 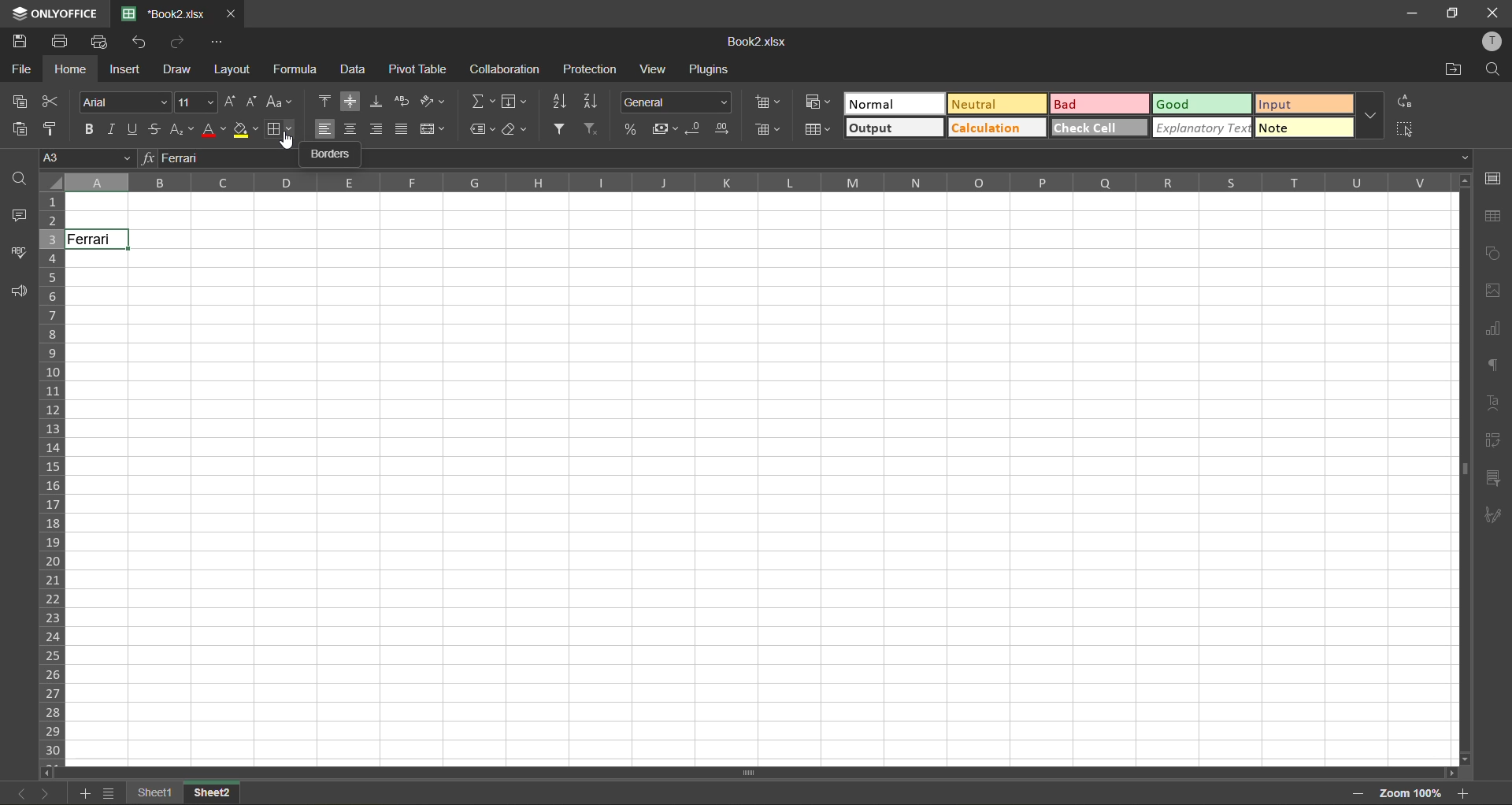 What do you see at coordinates (1492, 518) in the screenshot?
I see `signature` at bounding box center [1492, 518].